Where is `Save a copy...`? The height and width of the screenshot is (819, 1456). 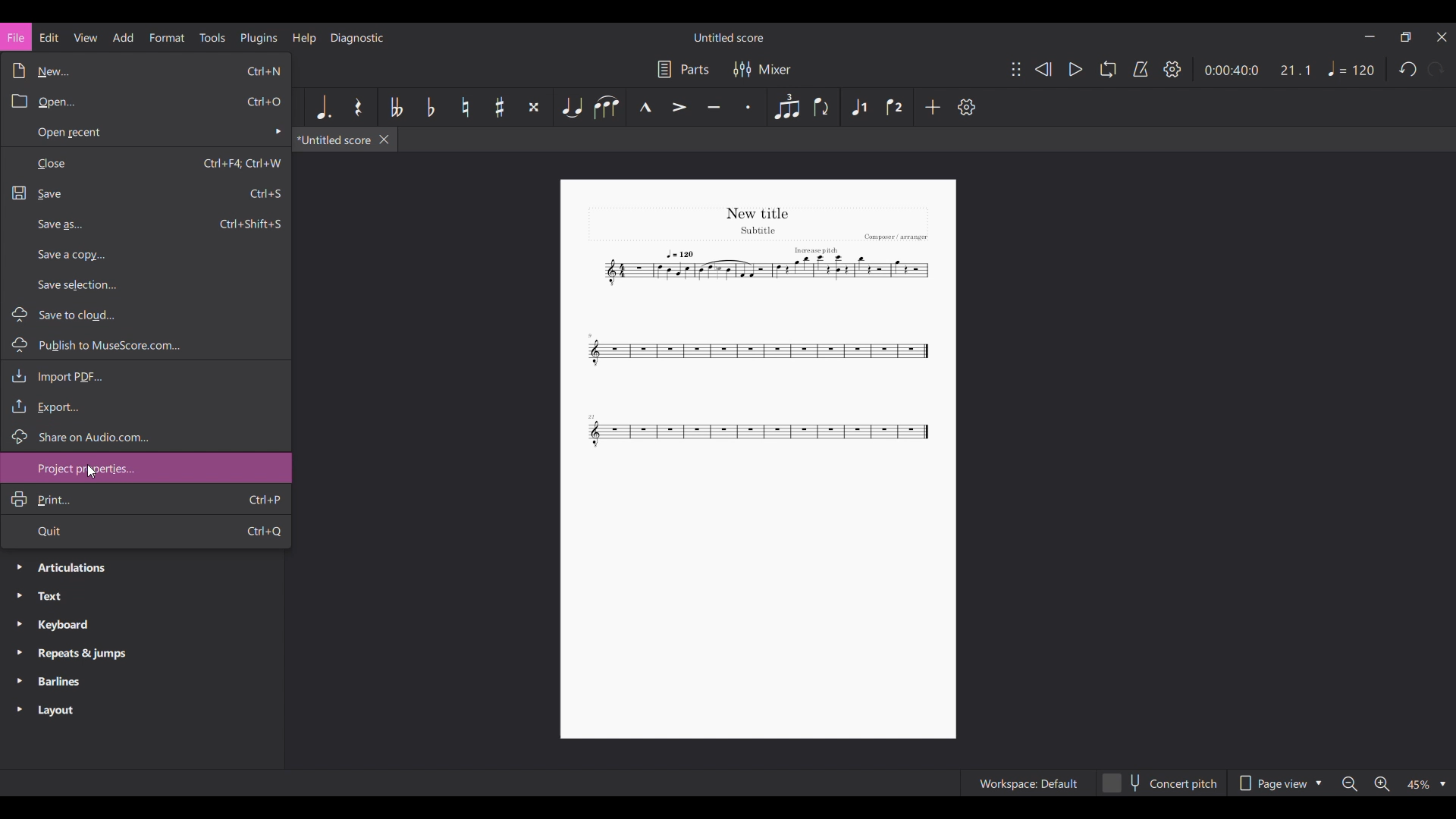 Save a copy... is located at coordinates (146, 254).